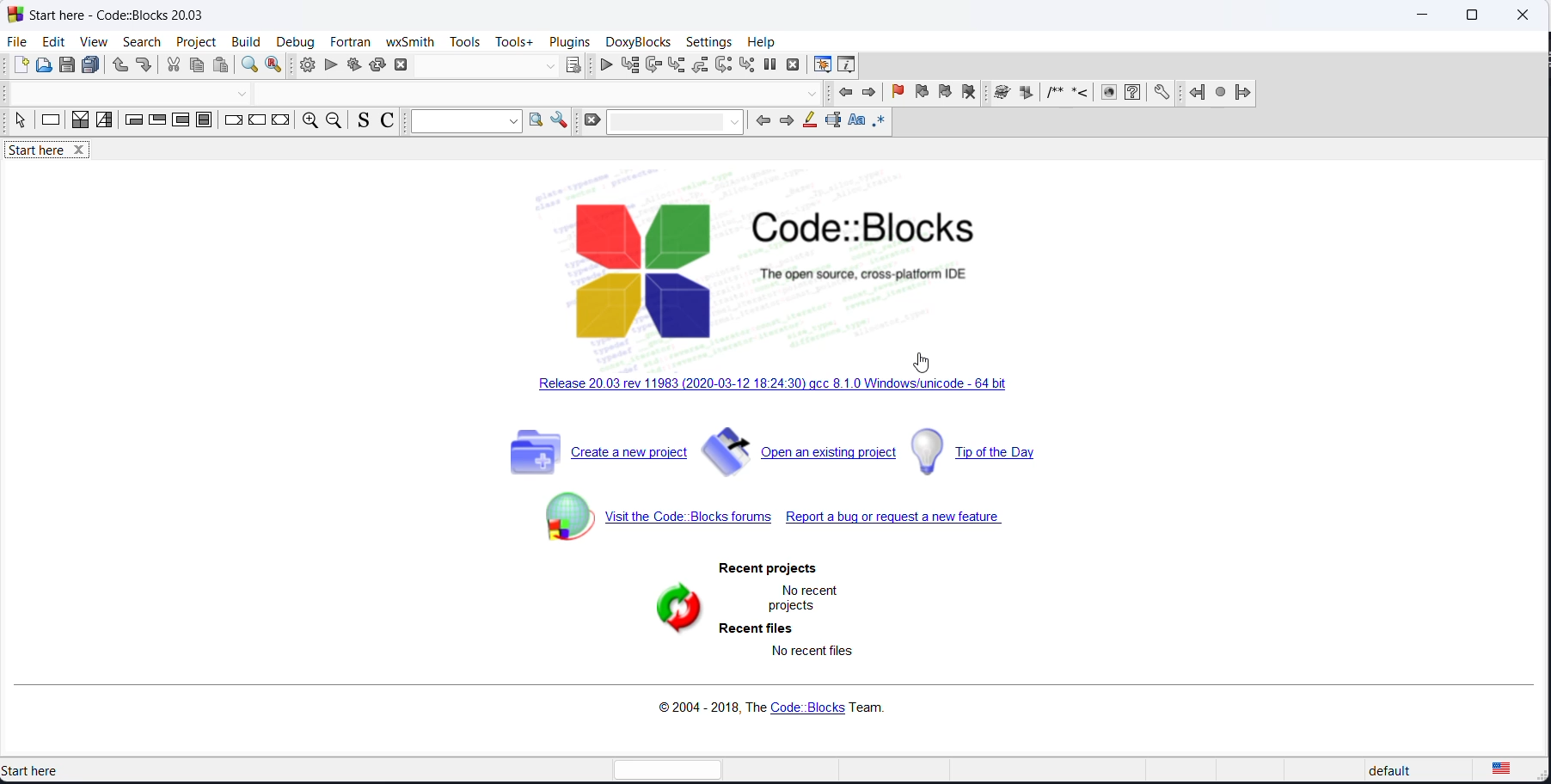 The image size is (1551, 784). Describe the element at coordinates (573, 64) in the screenshot. I see `target dialog` at that location.